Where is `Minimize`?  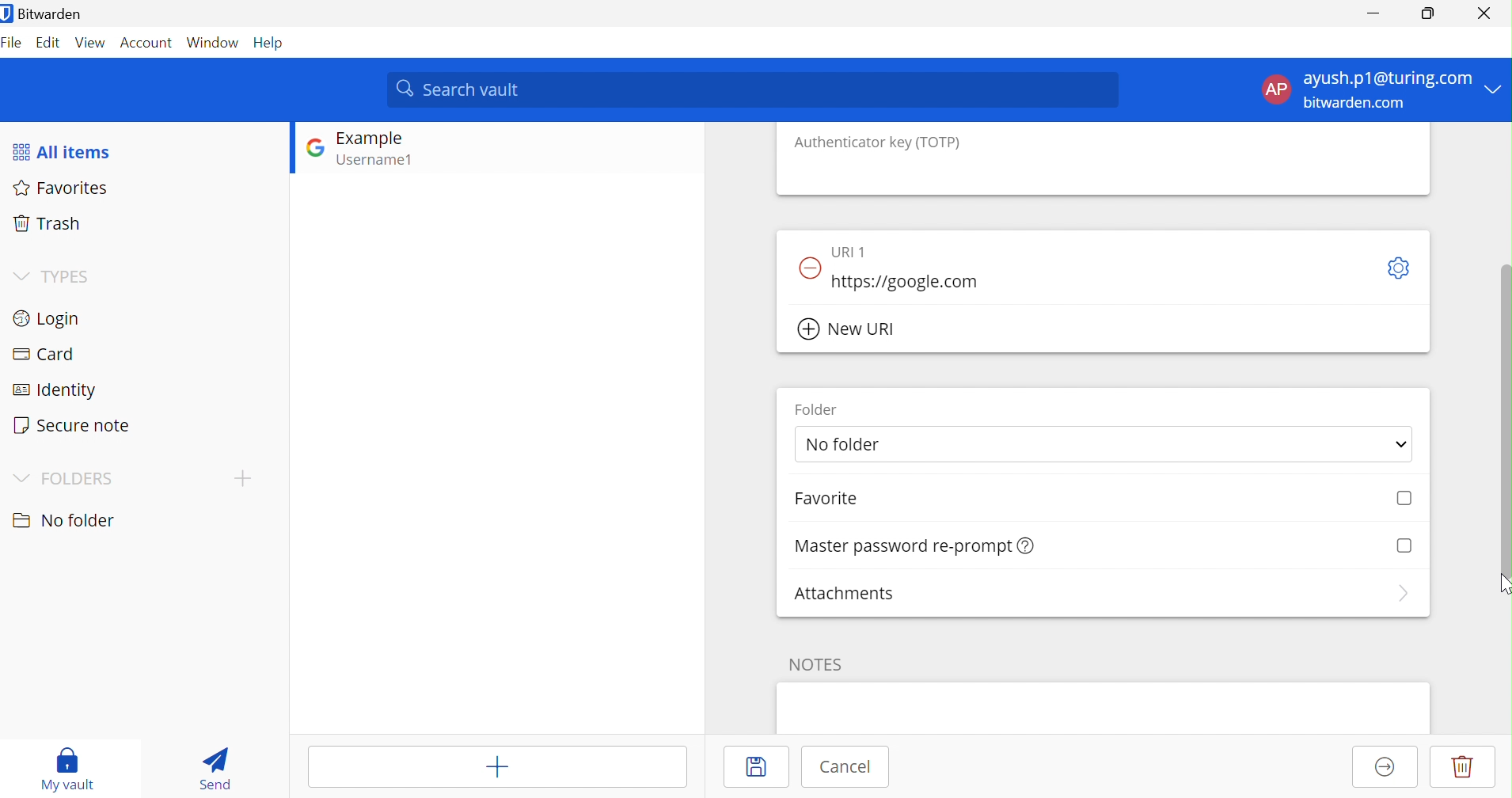
Minimize is located at coordinates (1370, 13).